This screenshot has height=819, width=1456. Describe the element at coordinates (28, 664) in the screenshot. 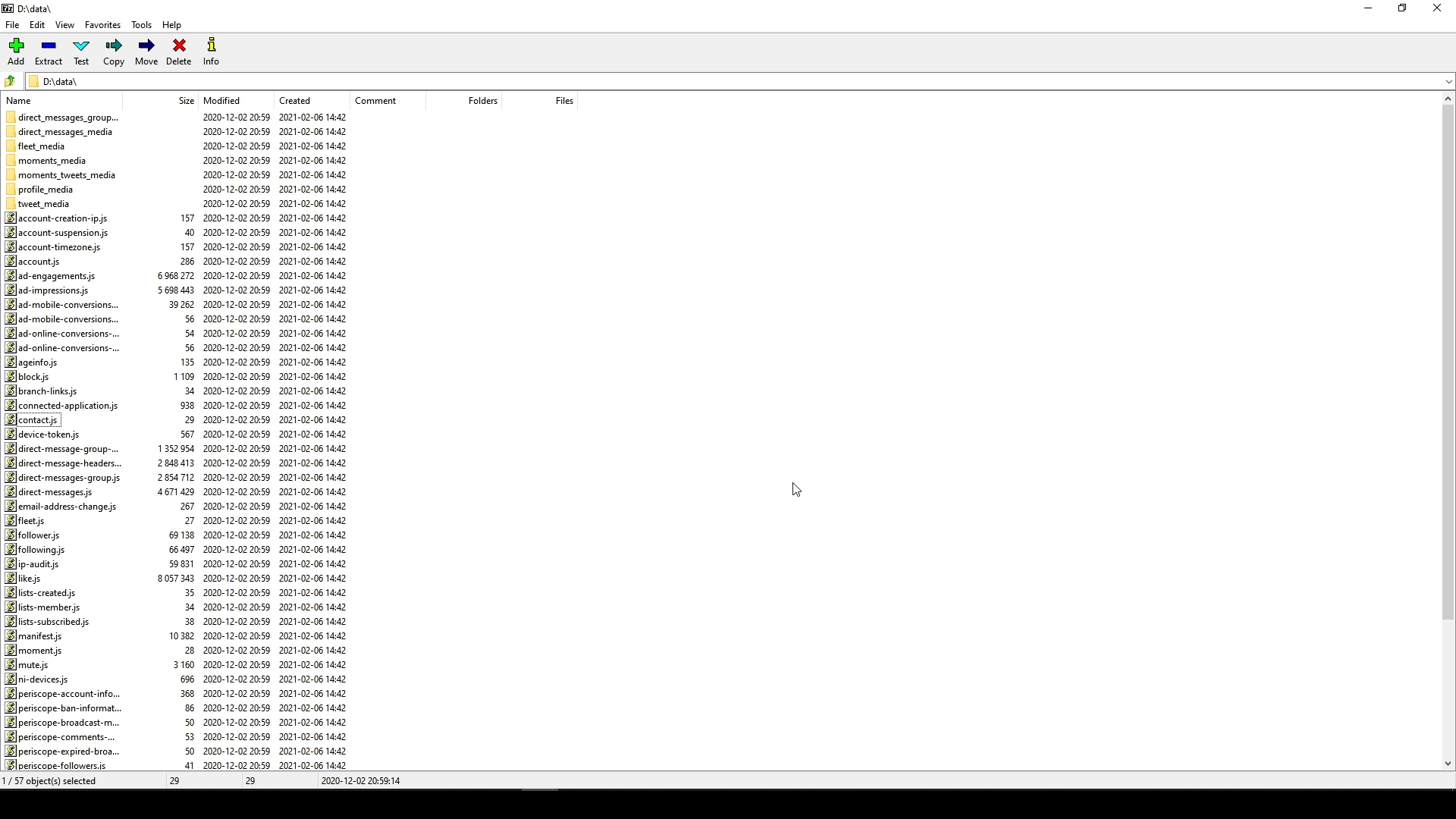

I see `mute.js` at that location.